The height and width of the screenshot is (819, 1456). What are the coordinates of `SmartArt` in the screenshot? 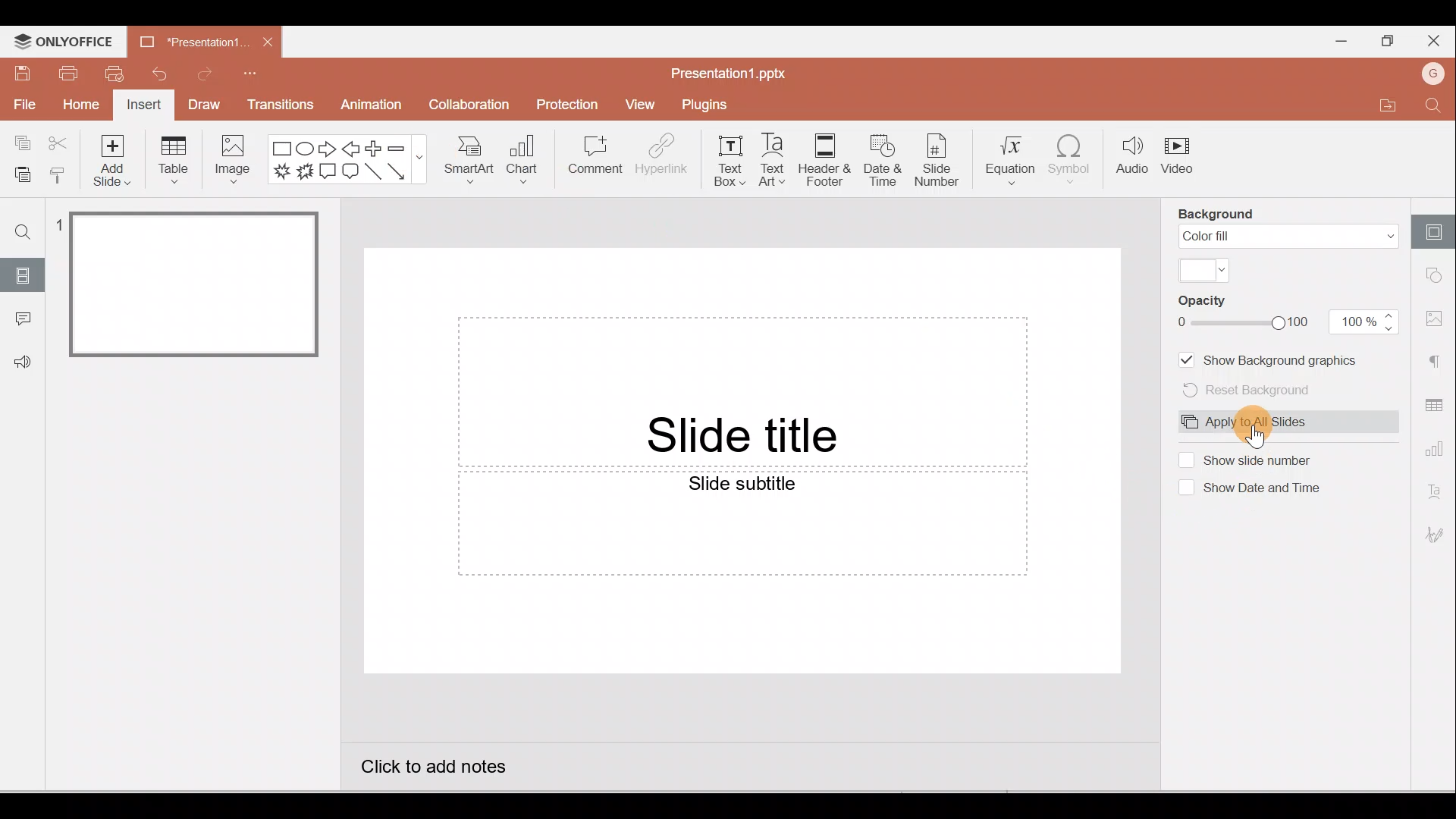 It's located at (469, 158).